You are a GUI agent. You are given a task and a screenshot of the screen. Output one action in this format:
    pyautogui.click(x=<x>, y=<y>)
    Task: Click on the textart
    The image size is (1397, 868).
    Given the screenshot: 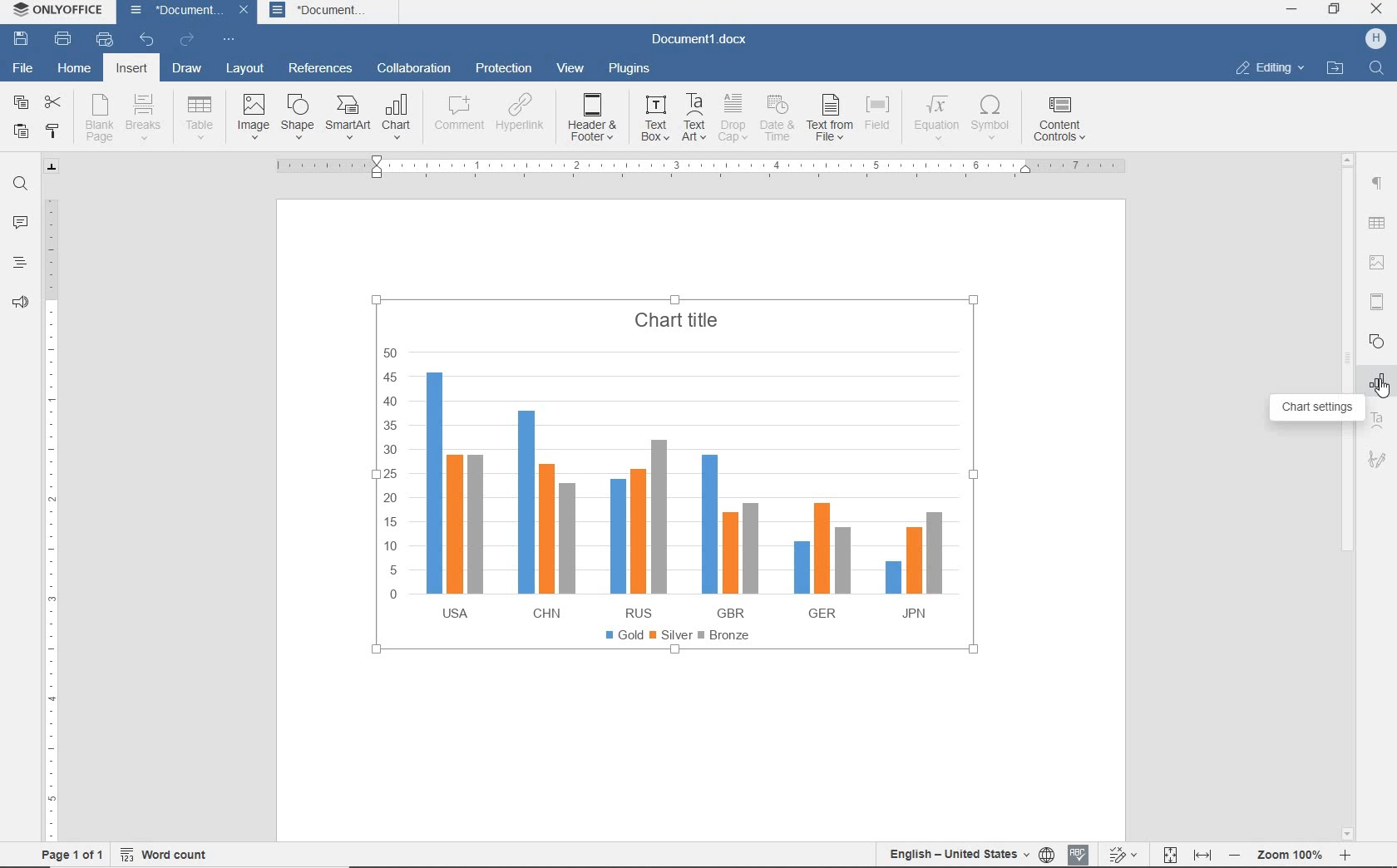 What is the action you would take?
    pyautogui.click(x=1378, y=420)
    